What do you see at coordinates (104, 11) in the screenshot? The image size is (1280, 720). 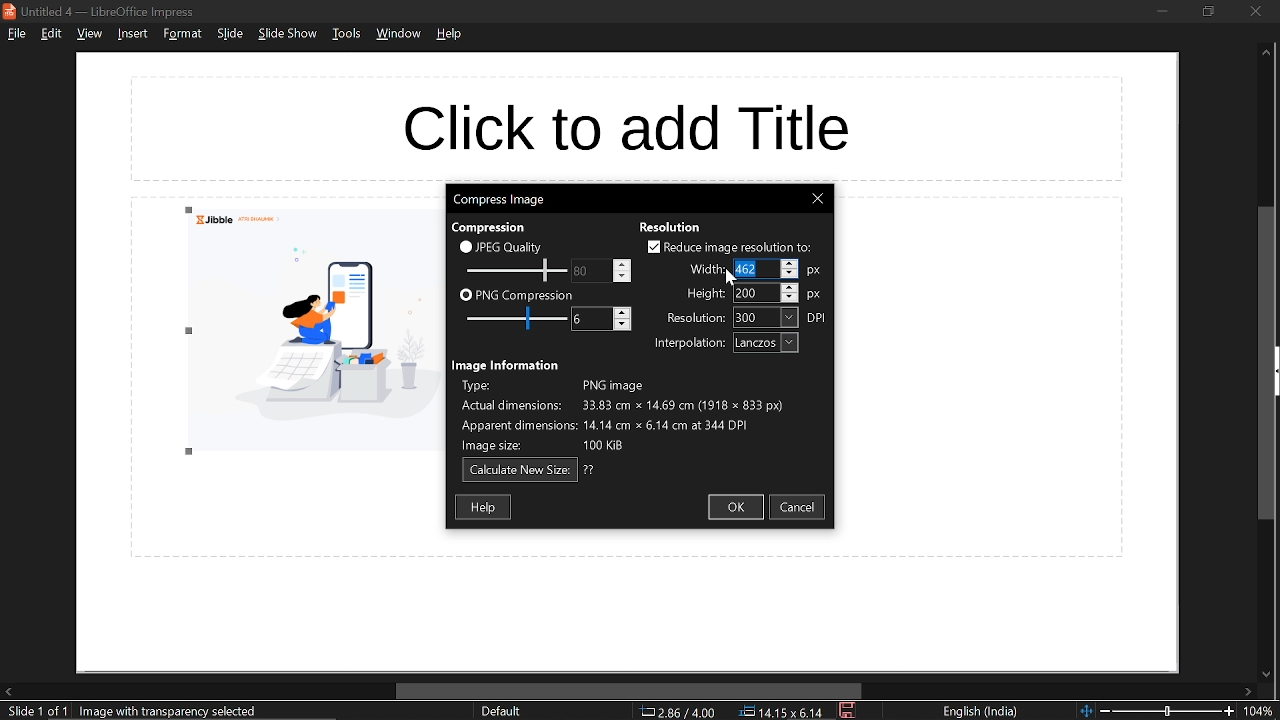 I see `current window` at bounding box center [104, 11].